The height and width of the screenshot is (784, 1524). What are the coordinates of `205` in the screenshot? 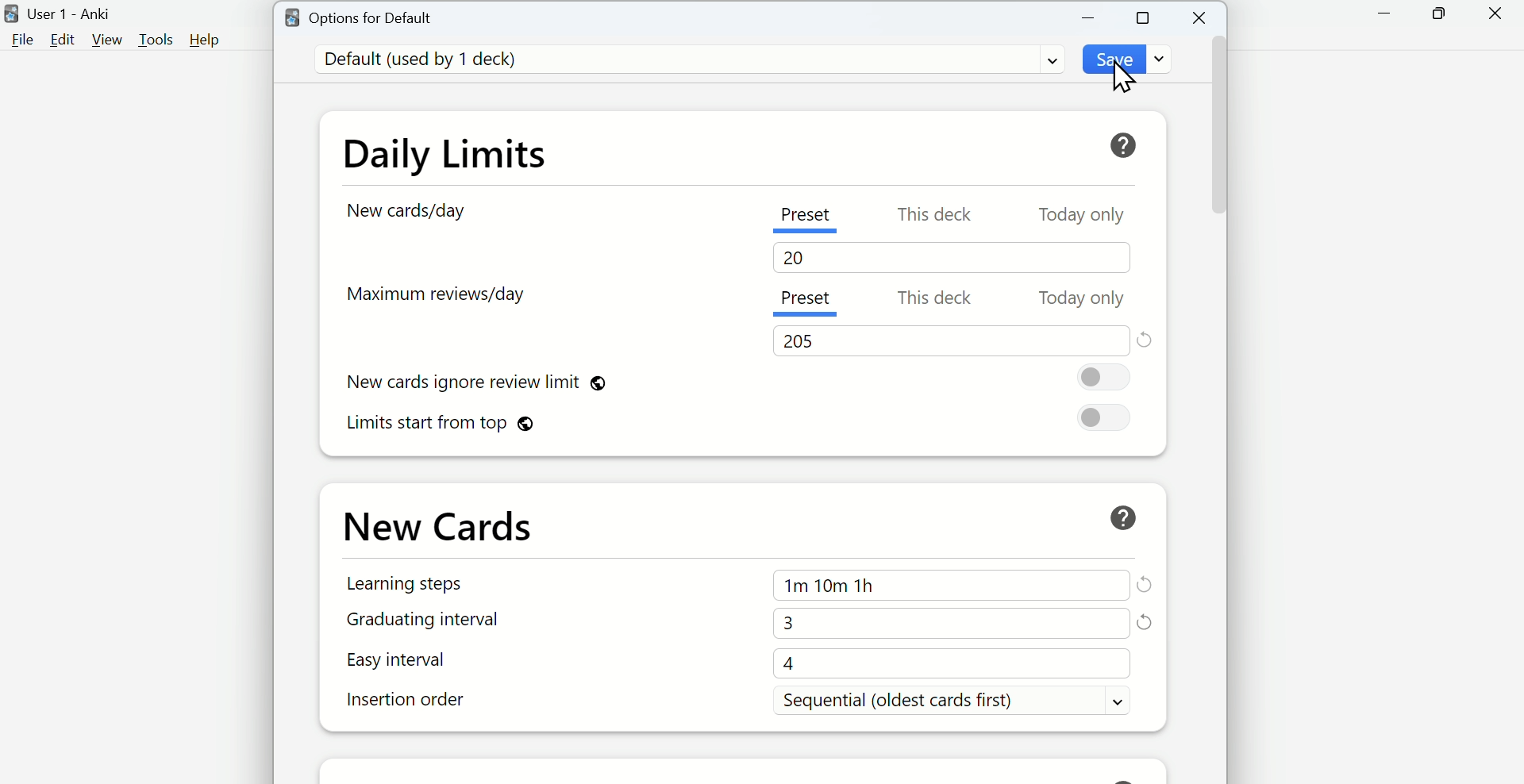 It's located at (810, 340).